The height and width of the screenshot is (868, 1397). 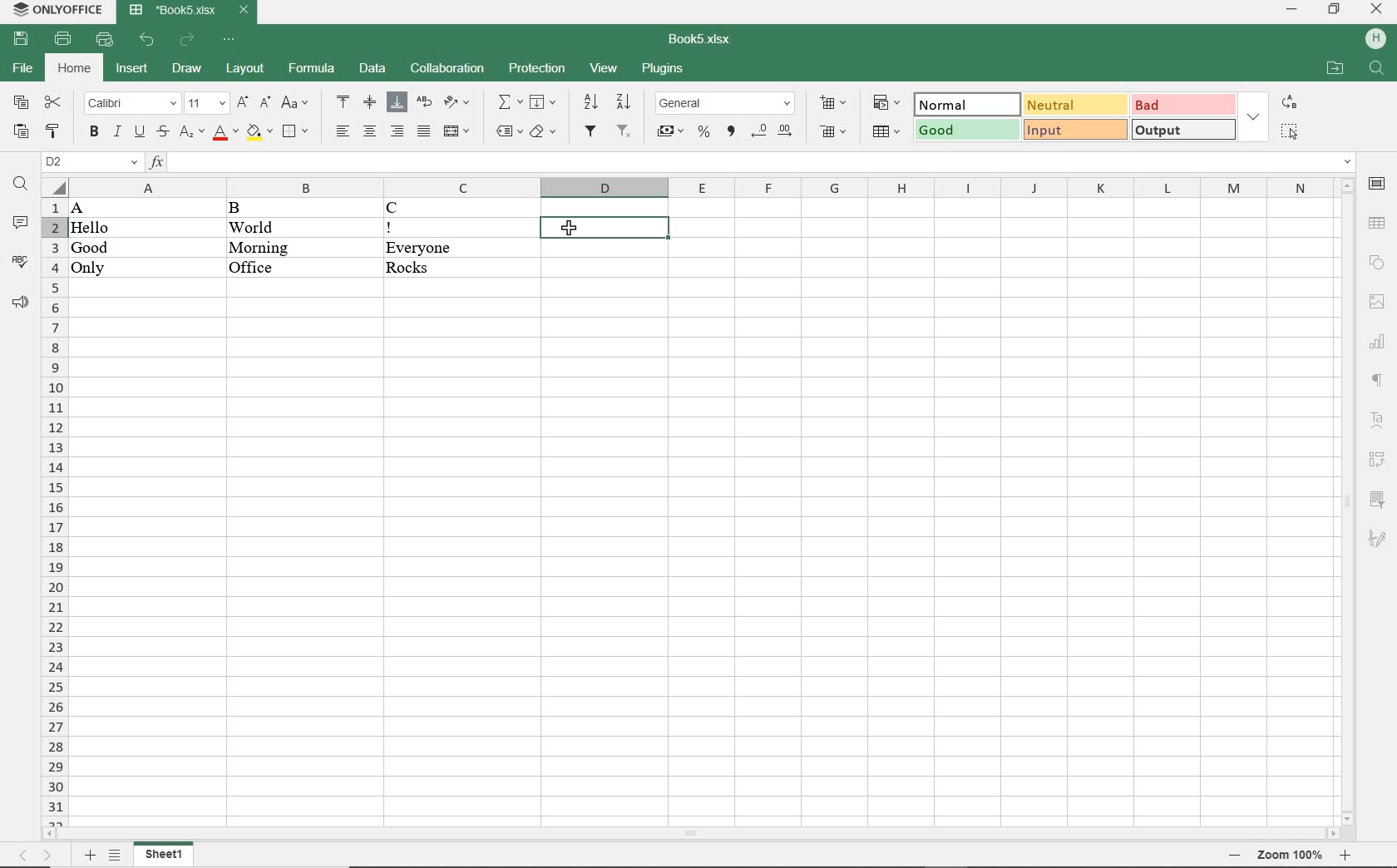 What do you see at coordinates (344, 101) in the screenshot?
I see `ALIGN TOP` at bounding box center [344, 101].